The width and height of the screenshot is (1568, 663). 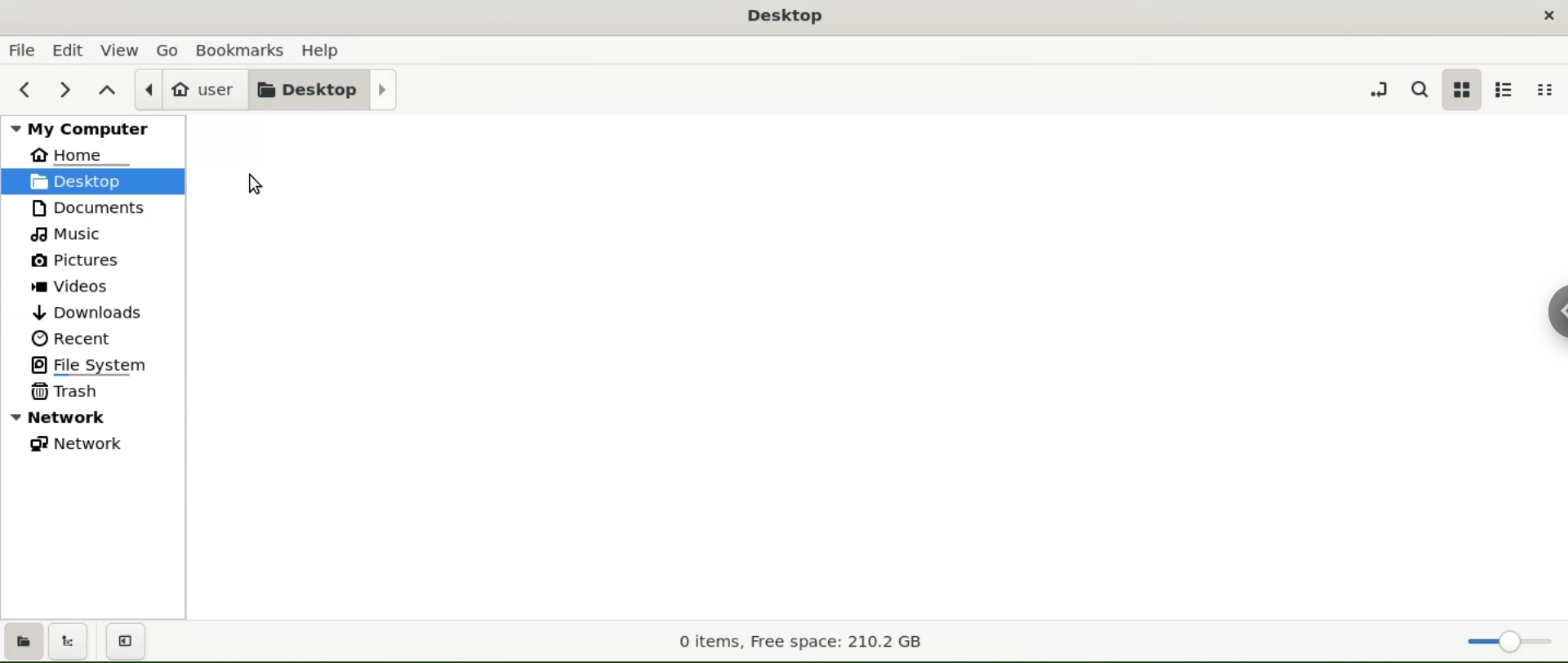 I want to click on sidebar, so click(x=1556, y=309).